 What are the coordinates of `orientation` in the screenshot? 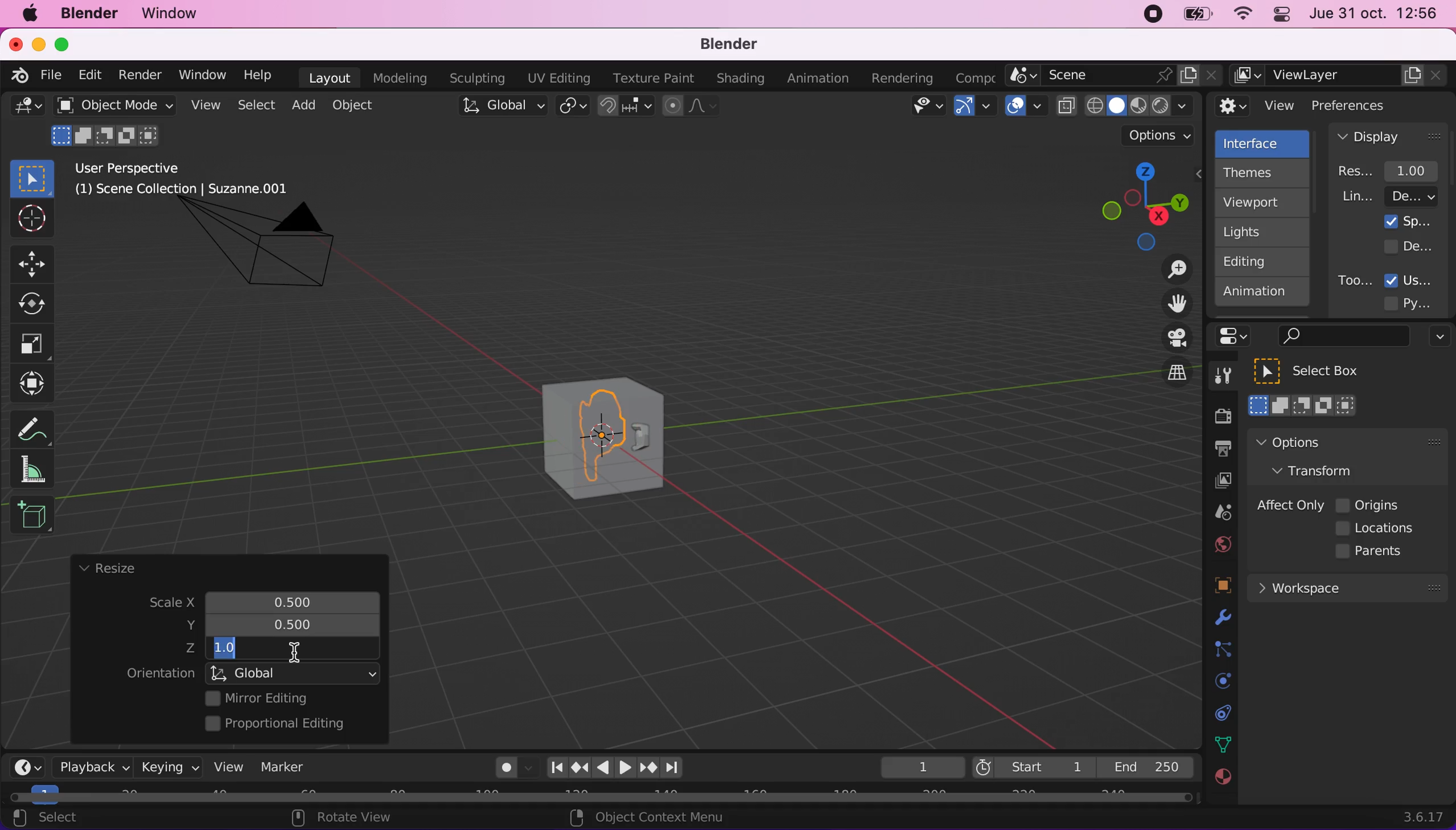 It's located at (247, 675).